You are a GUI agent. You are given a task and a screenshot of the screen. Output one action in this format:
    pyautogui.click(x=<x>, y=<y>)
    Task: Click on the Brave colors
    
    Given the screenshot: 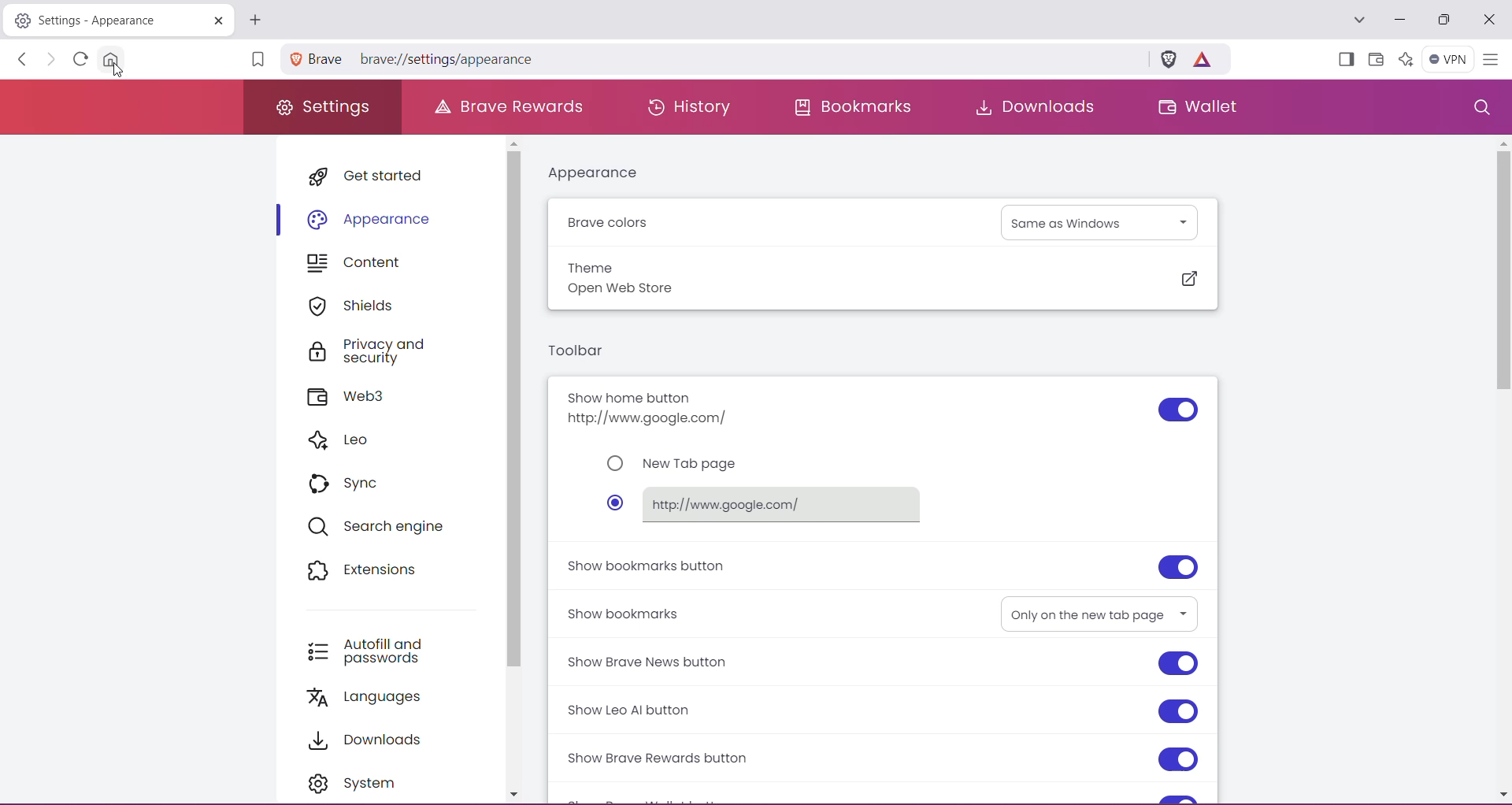 What is the action you would take?
    pyautogui.click(x=612, y=224)
    